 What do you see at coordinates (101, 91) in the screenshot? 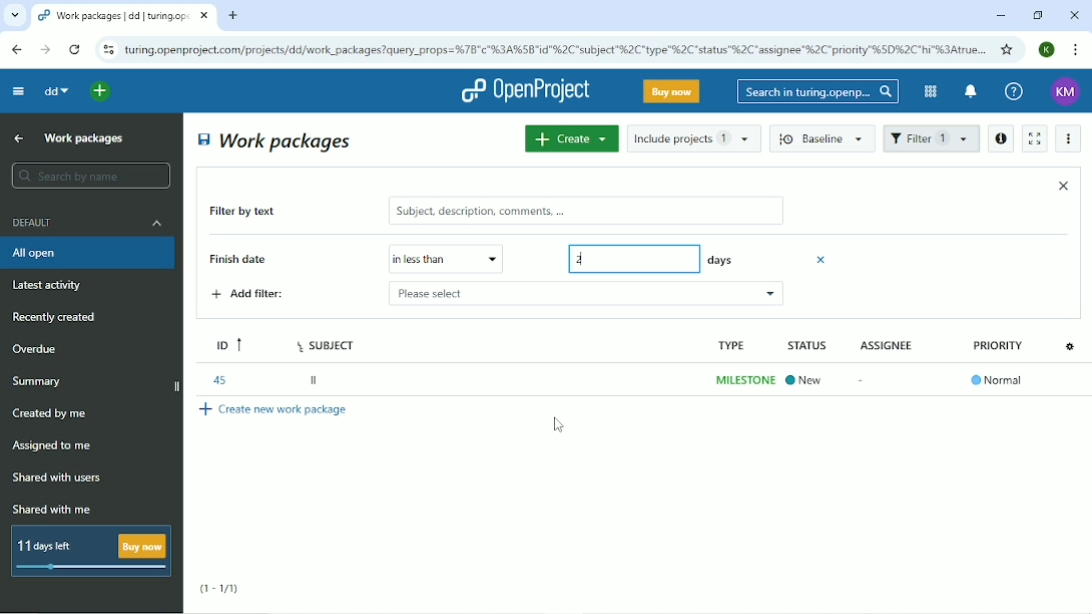
I see `Open quick add menu` at bounding box center [101, 91].